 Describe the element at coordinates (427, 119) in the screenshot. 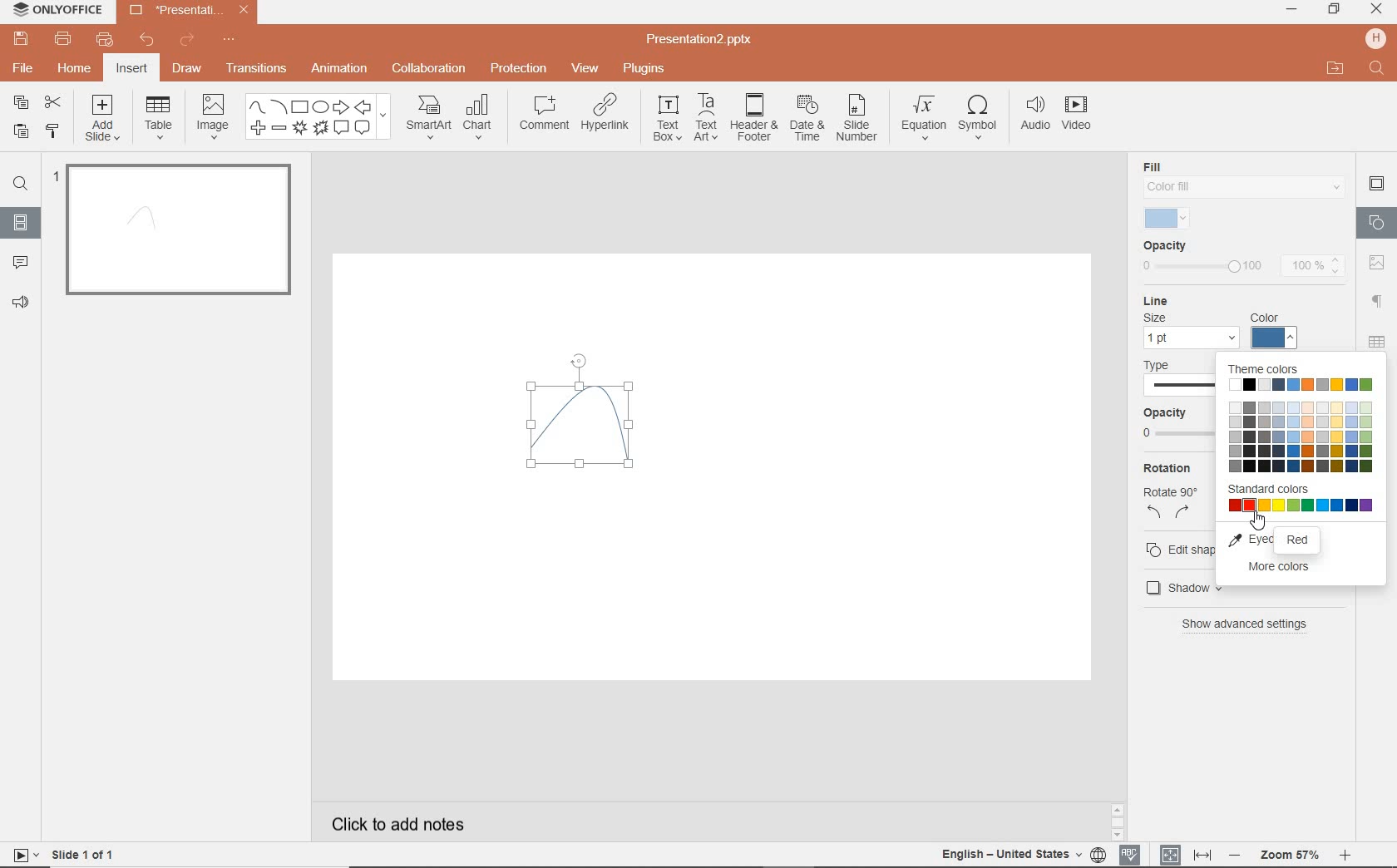

I see `SMART ART` at that location.